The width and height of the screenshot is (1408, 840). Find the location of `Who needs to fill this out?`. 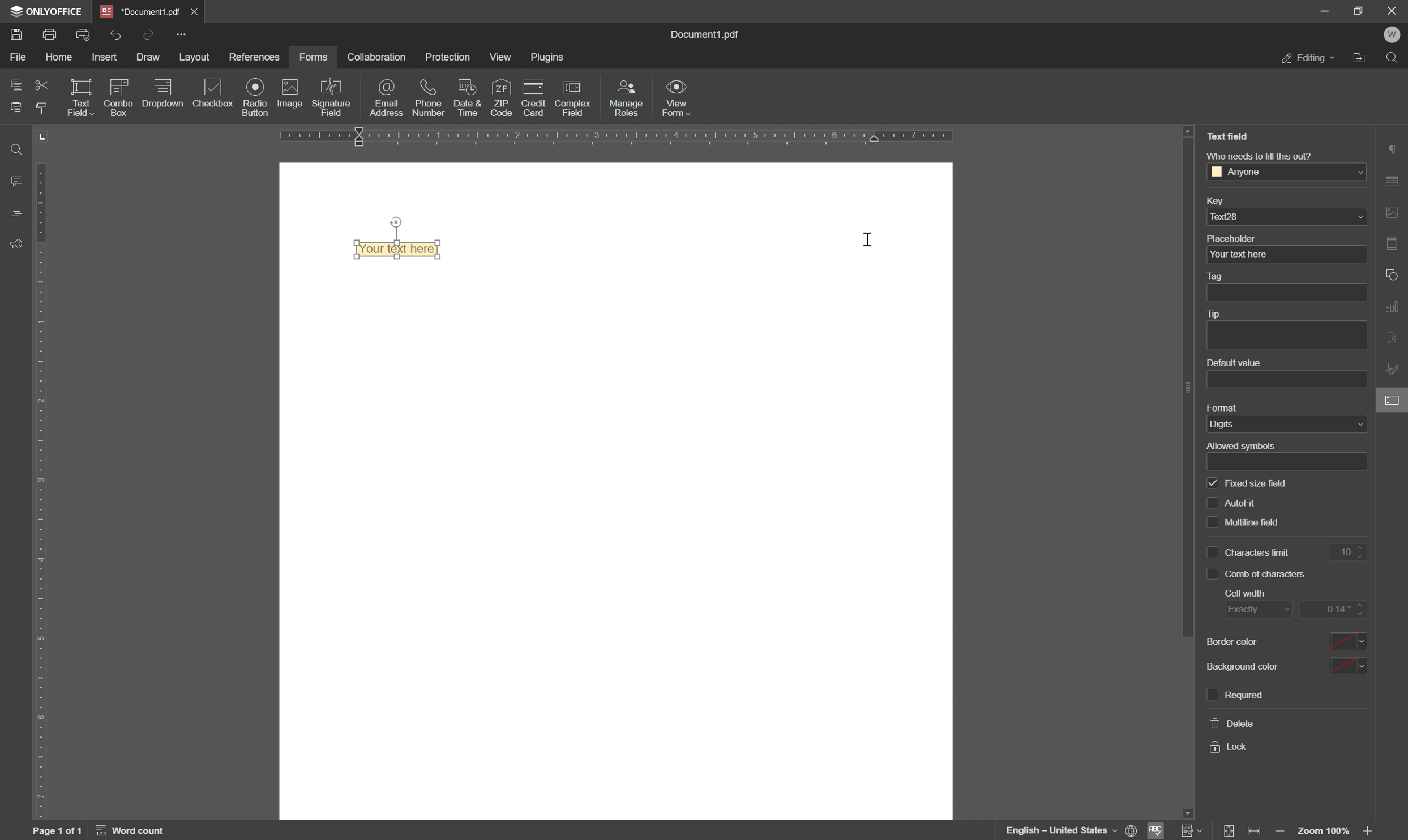

Who needs to fill this out? is located at coordinates (1264, 155).